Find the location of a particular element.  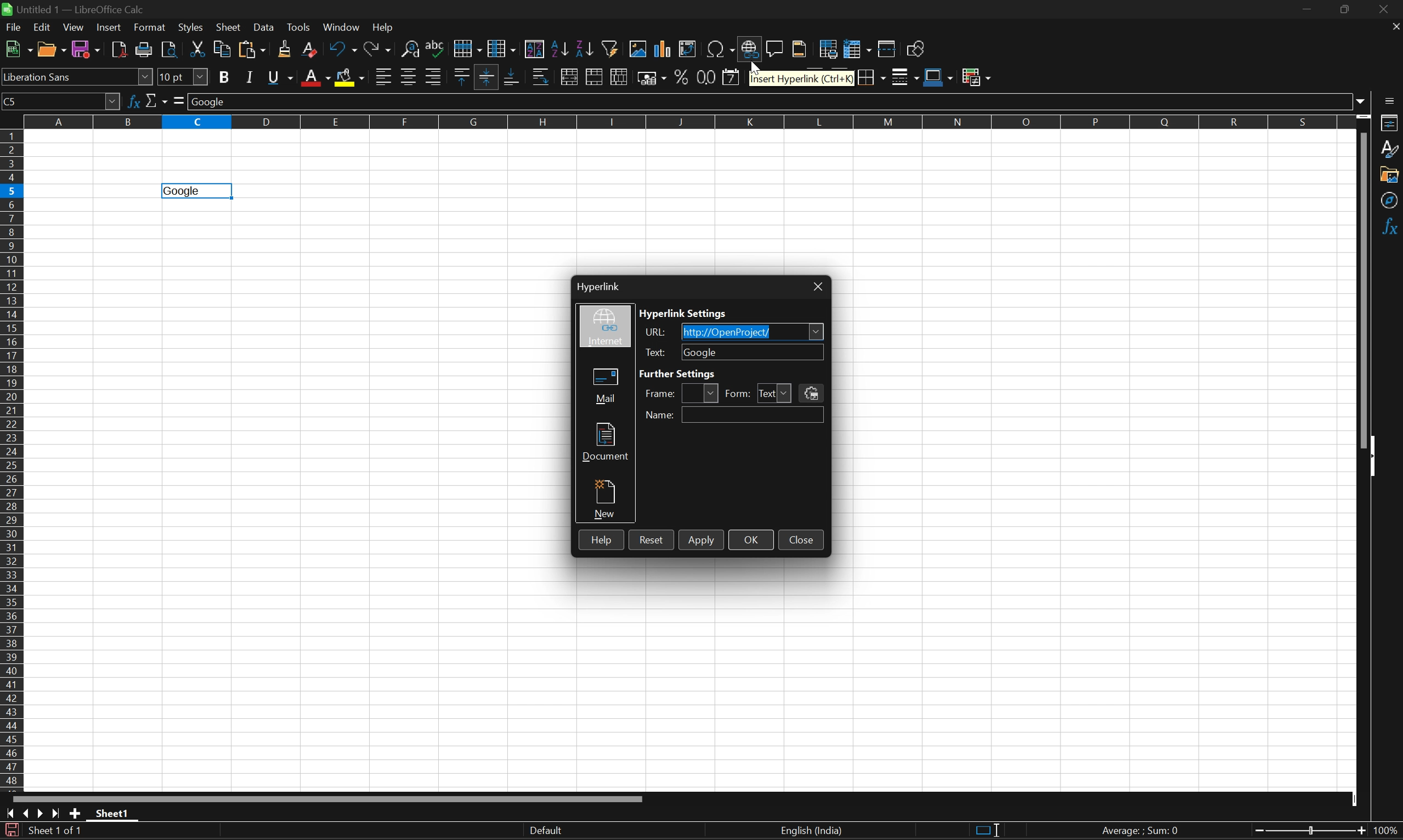

Sheet is located at coordinates (229, 27).